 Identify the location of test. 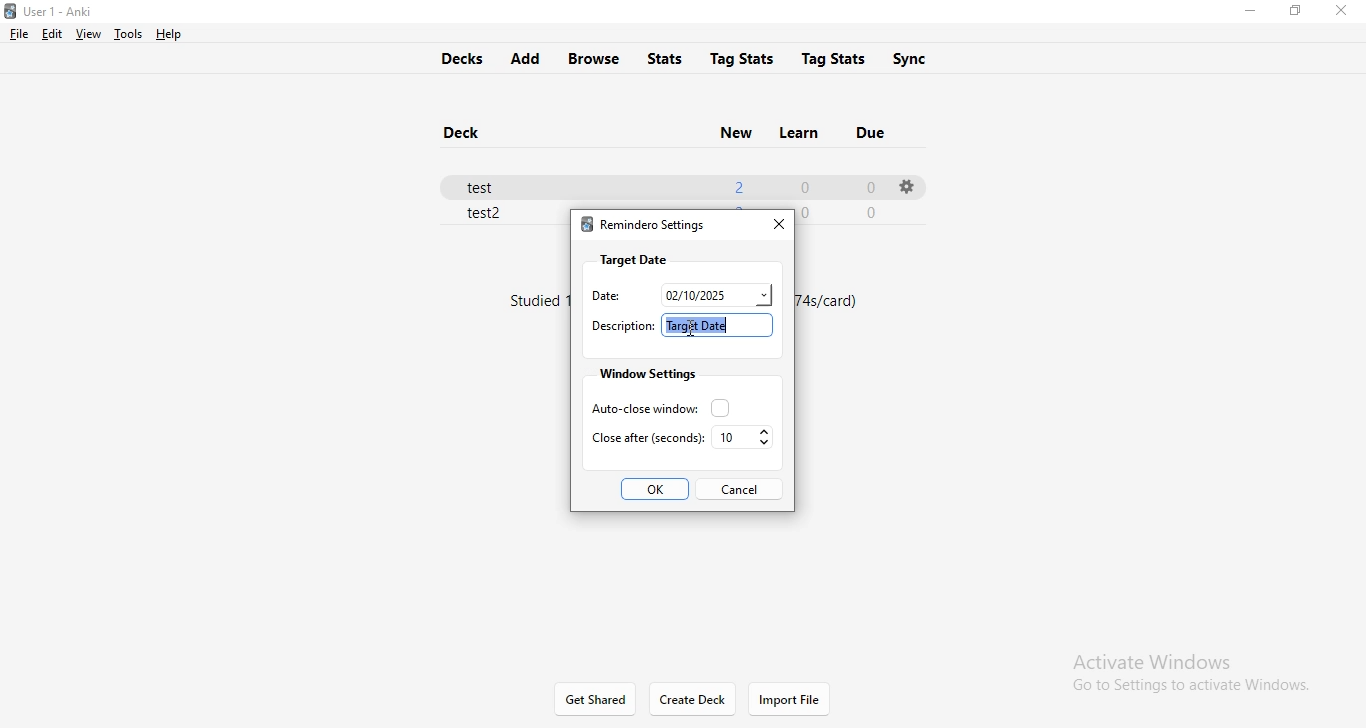
(489, 184).